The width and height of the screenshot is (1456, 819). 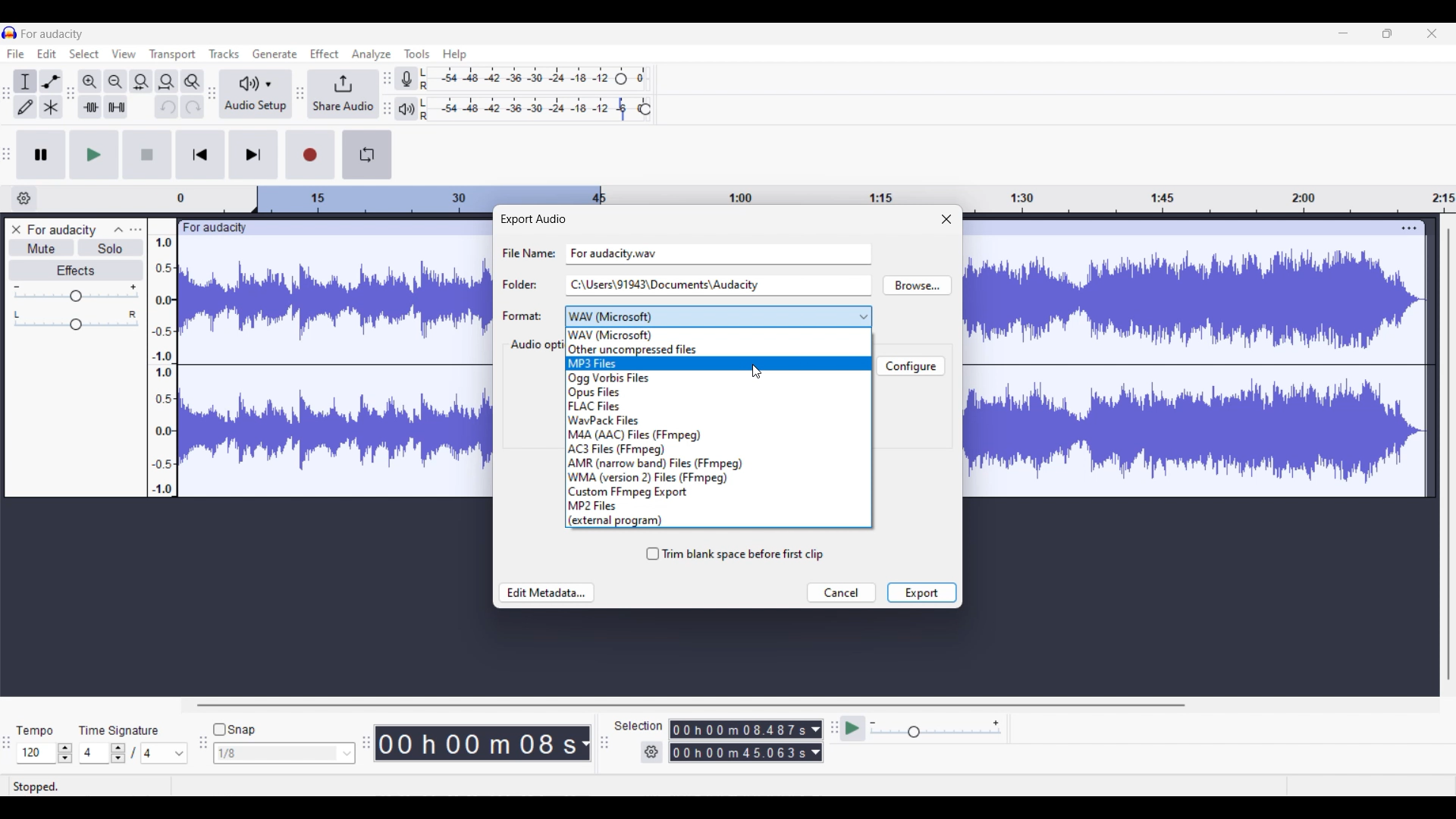 I want to click on Effects, so click(x=77, y=271).